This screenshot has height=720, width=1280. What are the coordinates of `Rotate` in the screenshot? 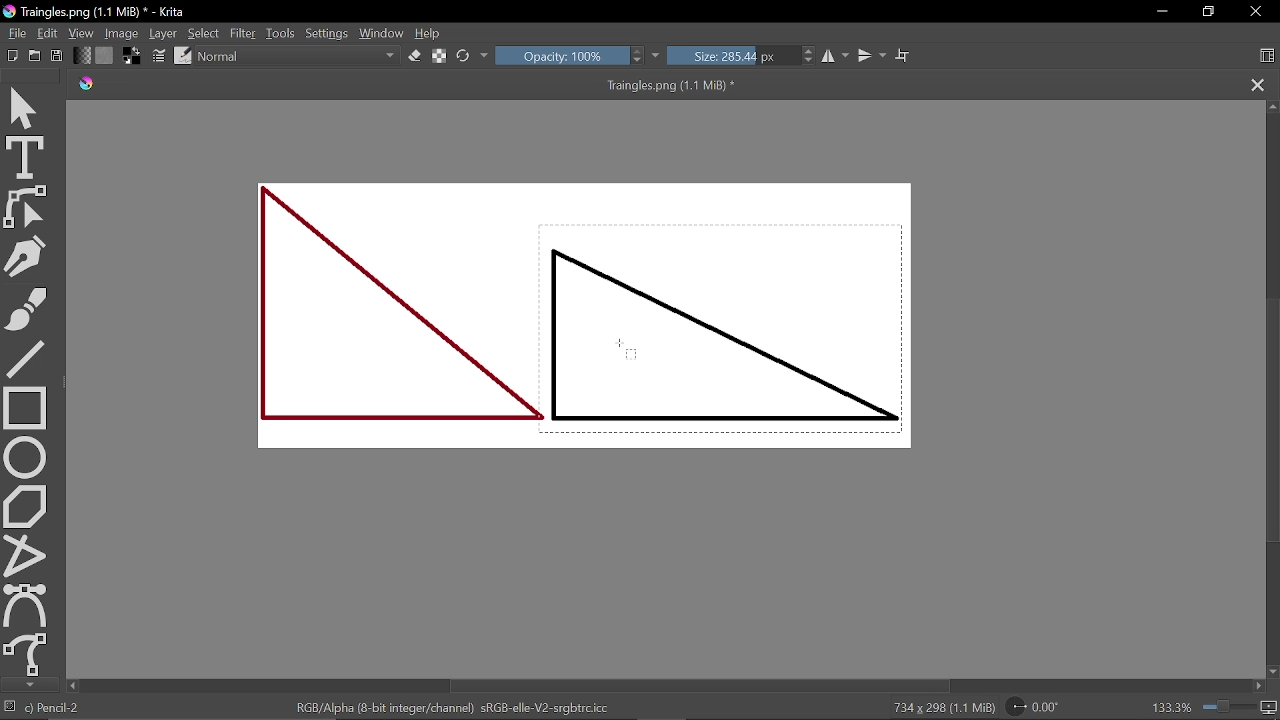 It's located at (1046, 707).